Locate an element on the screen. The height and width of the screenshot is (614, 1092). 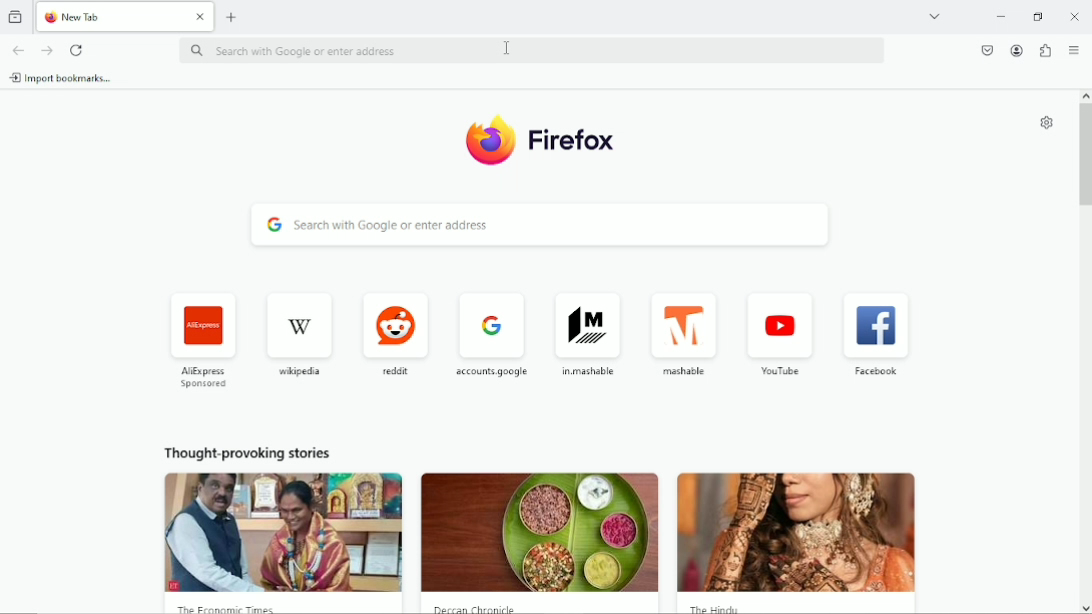
facebook is located at coordinates (878, 333).